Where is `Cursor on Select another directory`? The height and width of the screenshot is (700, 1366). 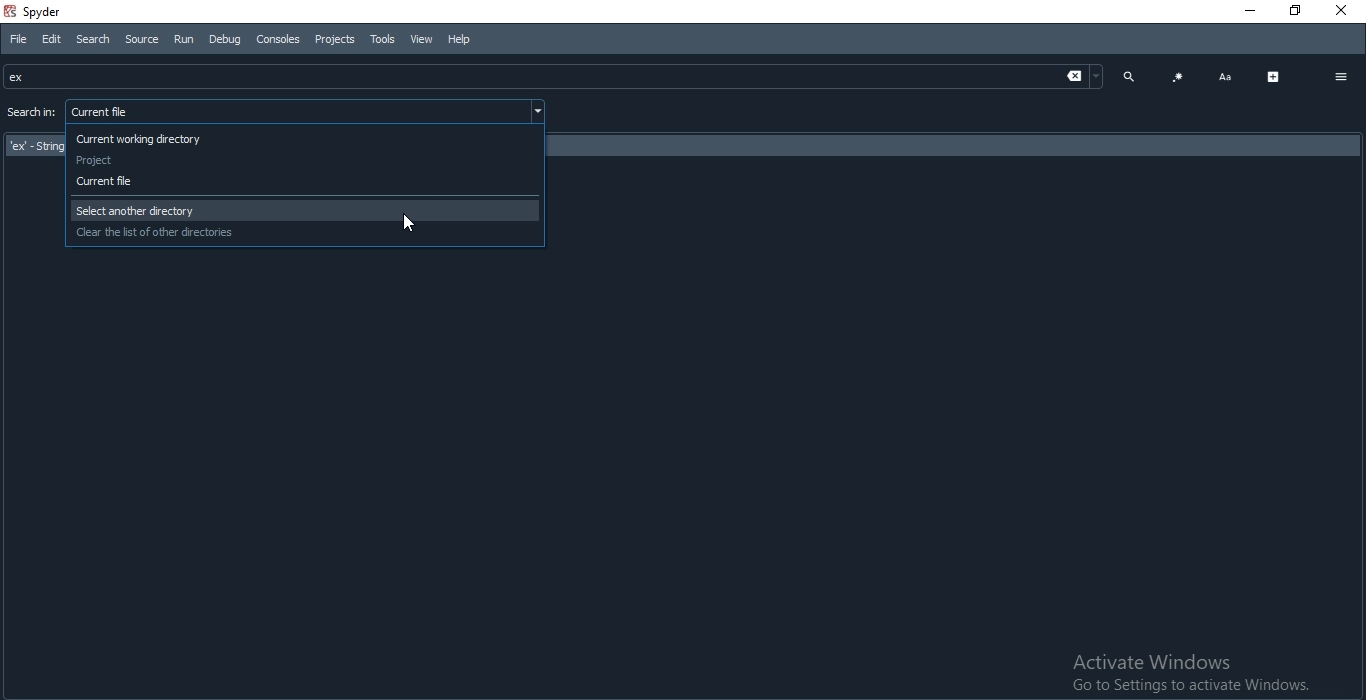 Cursor on Select another directory is located at coordinates (414, 223).